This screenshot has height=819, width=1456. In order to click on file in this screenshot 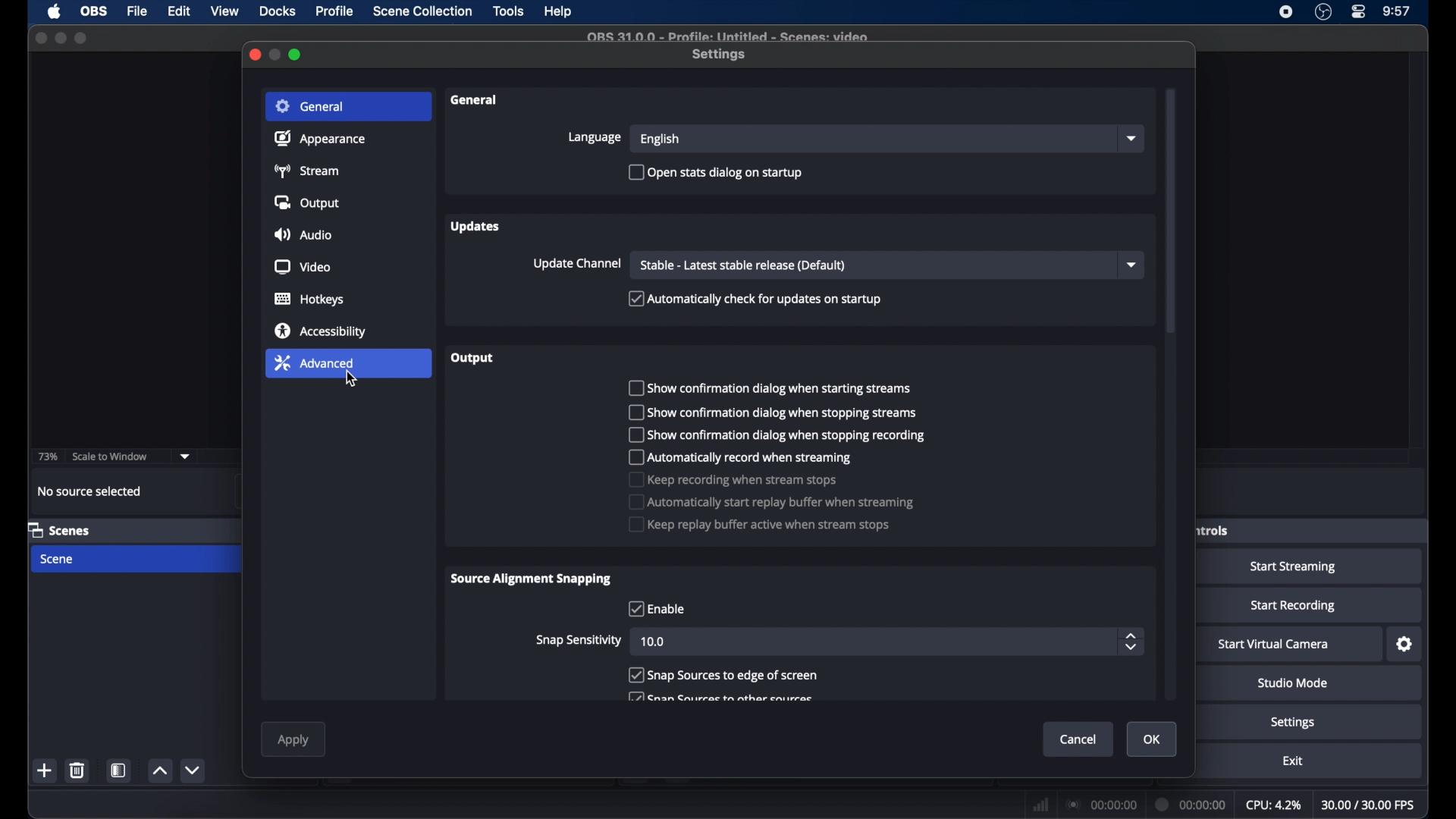, I will do `click(138, 12)`.